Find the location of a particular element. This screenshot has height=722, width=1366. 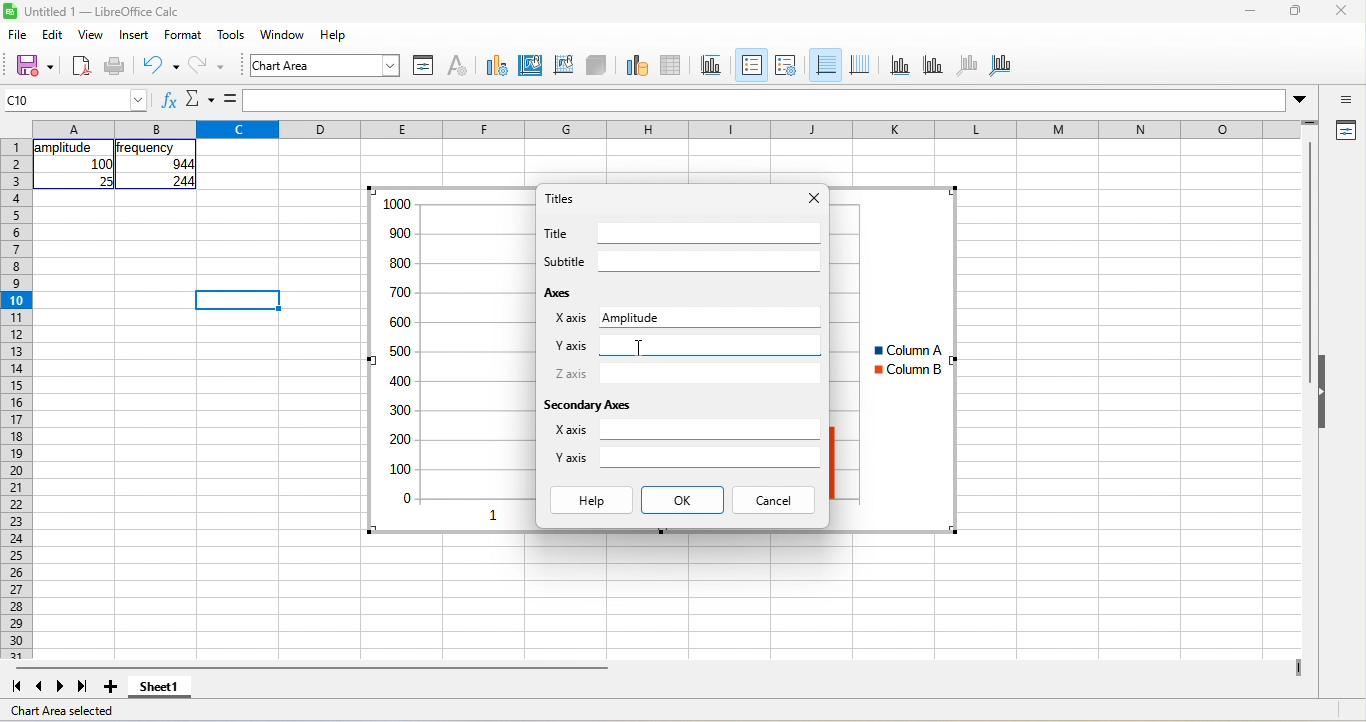

Amplitude is located at coordinates (630, 318).